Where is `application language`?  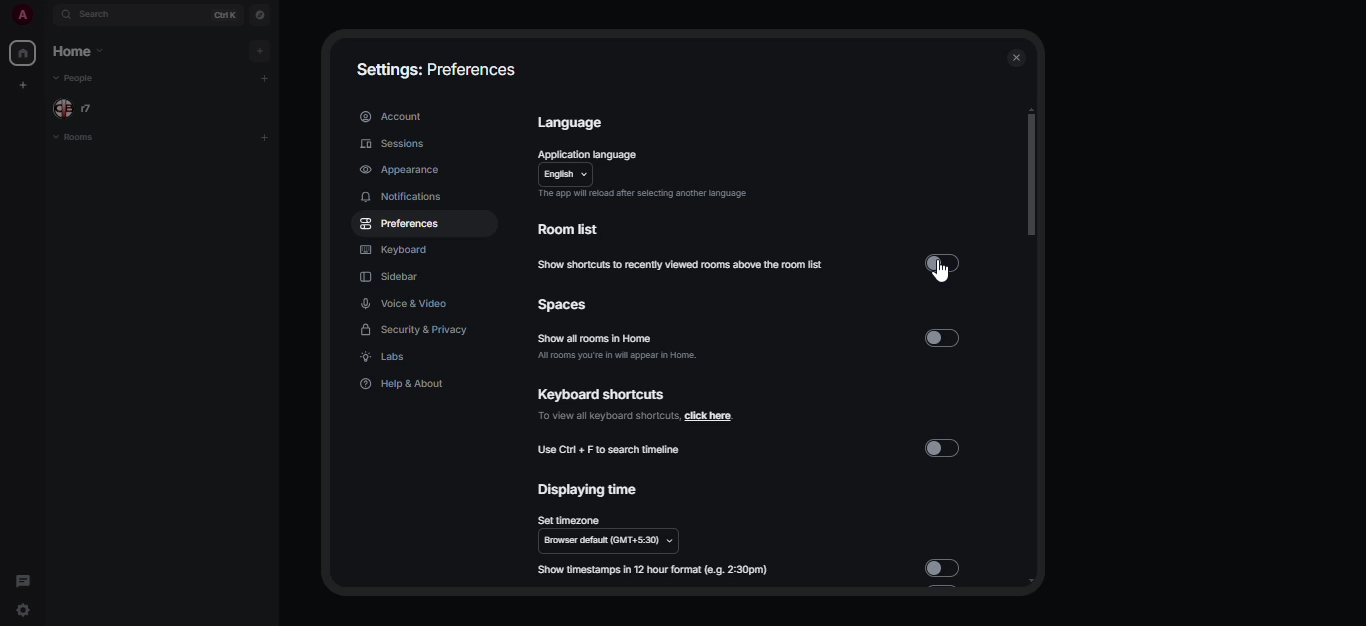 application language is located at coordinates (586, 153).